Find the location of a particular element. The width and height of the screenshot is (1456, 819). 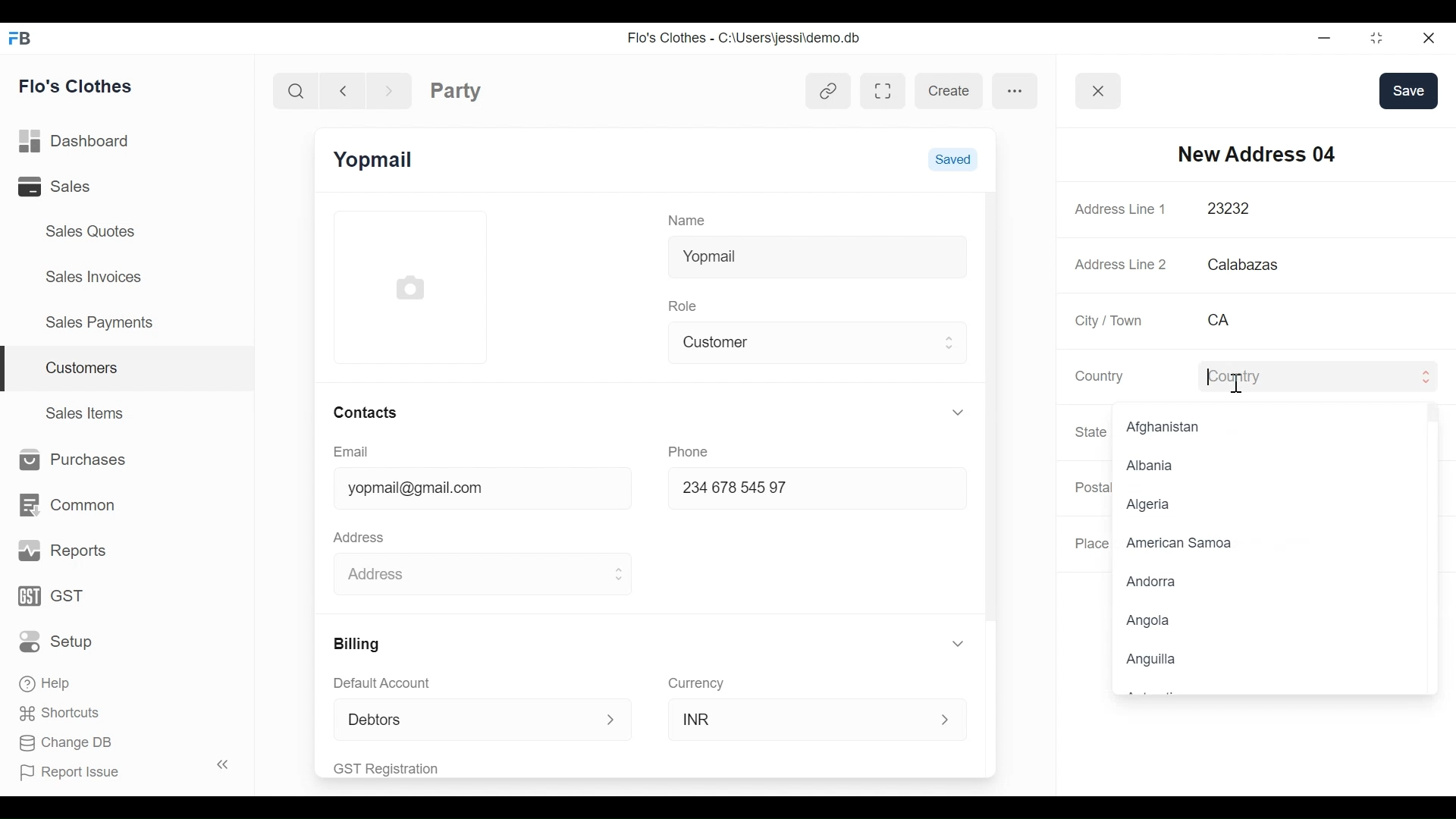

Anguilla is located at coordinates (1152, 659).